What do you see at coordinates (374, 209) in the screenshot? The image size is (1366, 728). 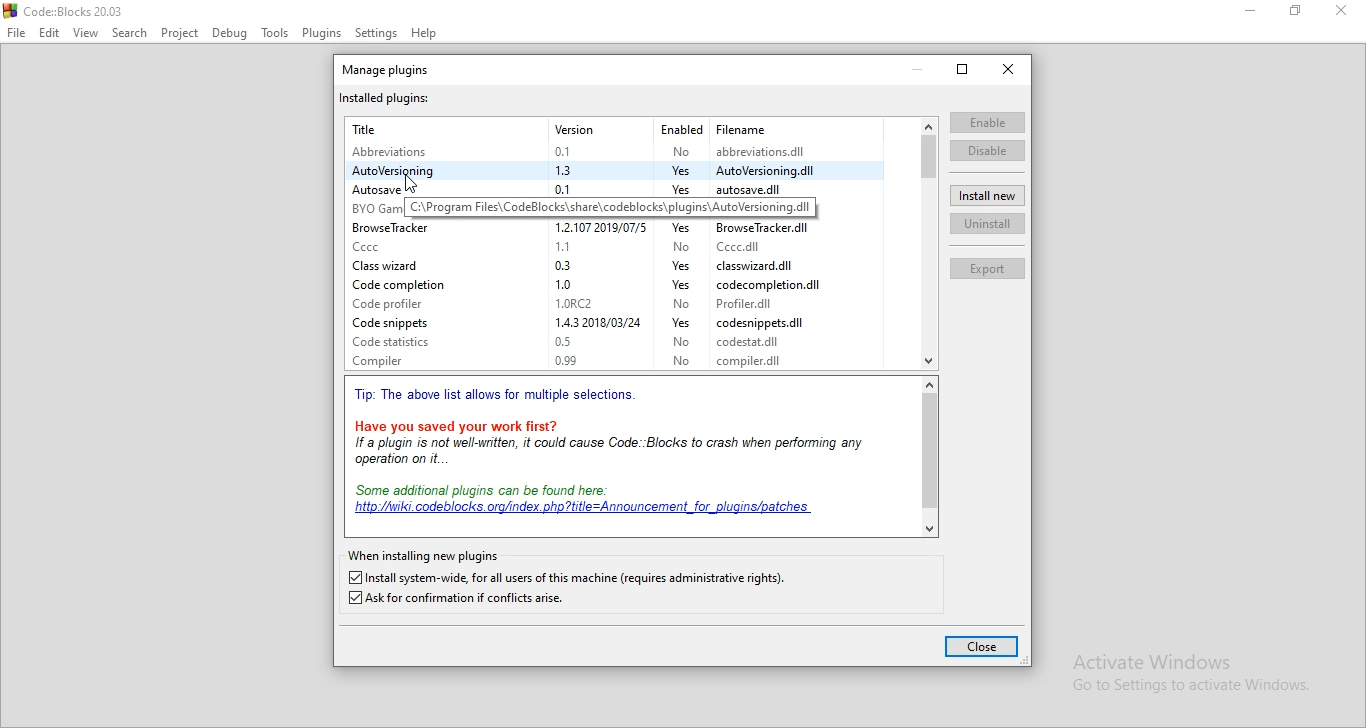 I see `BYO Garr` at bounding box center [374, 209].